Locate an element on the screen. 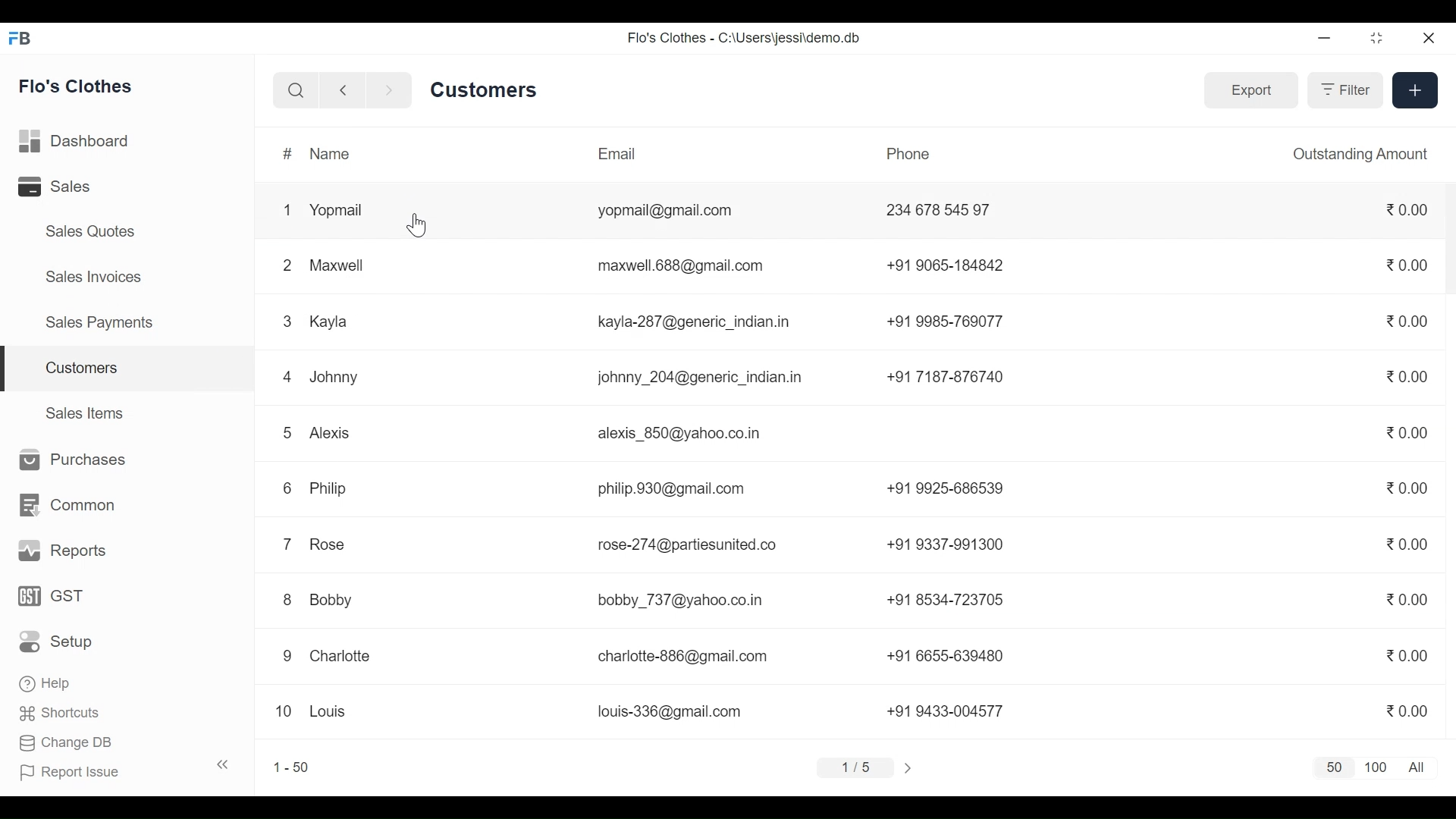 This screenshot has width=1456, height=819. Name is located at coordinates (330, 154).